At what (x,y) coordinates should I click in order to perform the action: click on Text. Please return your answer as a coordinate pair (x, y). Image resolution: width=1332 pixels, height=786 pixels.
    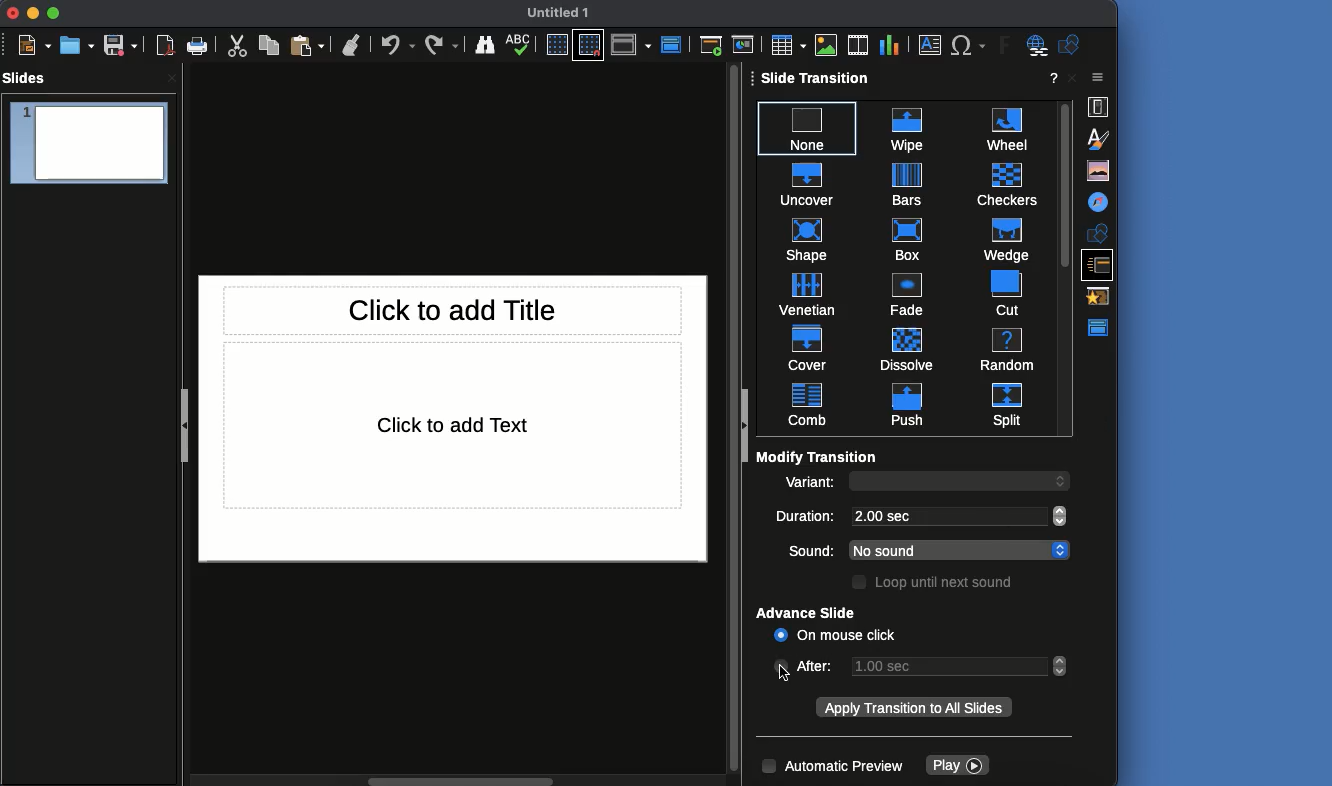
    Looking at the image, I should click on (454, 426).